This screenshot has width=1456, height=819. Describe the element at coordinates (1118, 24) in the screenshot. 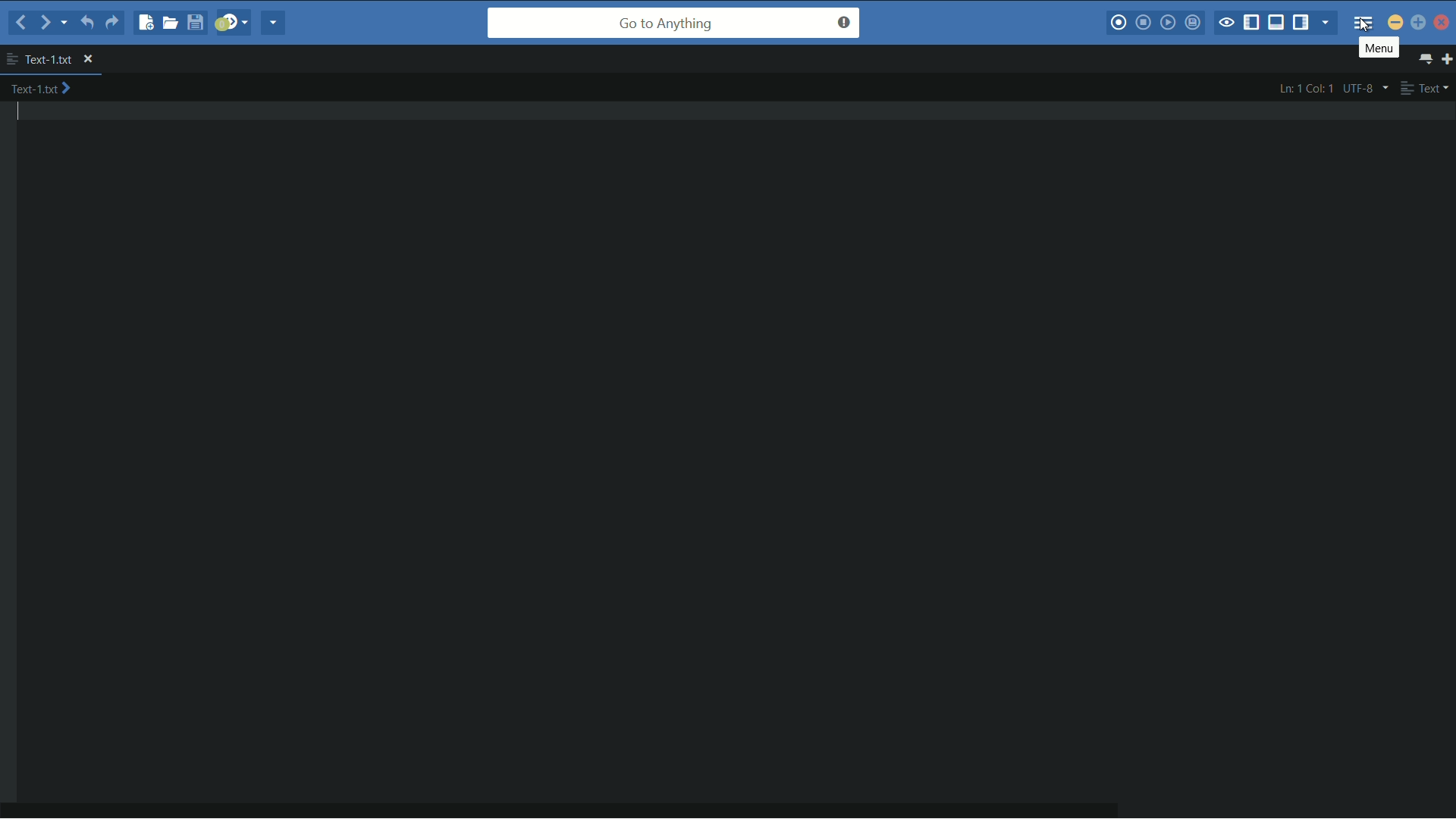

I see `record macro` at that location.